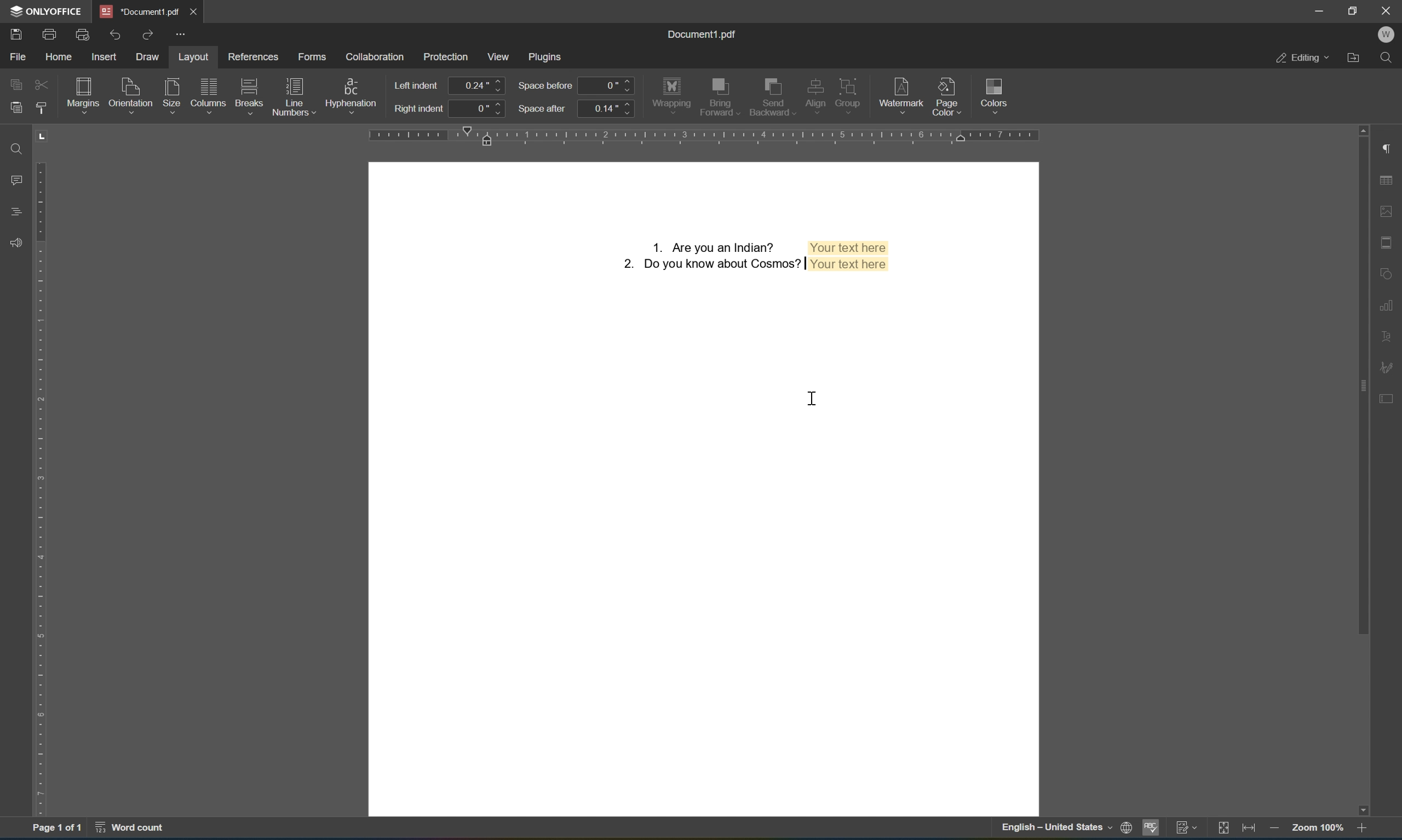 The height and width of the screenshot is (840, 1402). Describe the element at coordinates (18, 84) in the screenshot. I see `copy` at that location.